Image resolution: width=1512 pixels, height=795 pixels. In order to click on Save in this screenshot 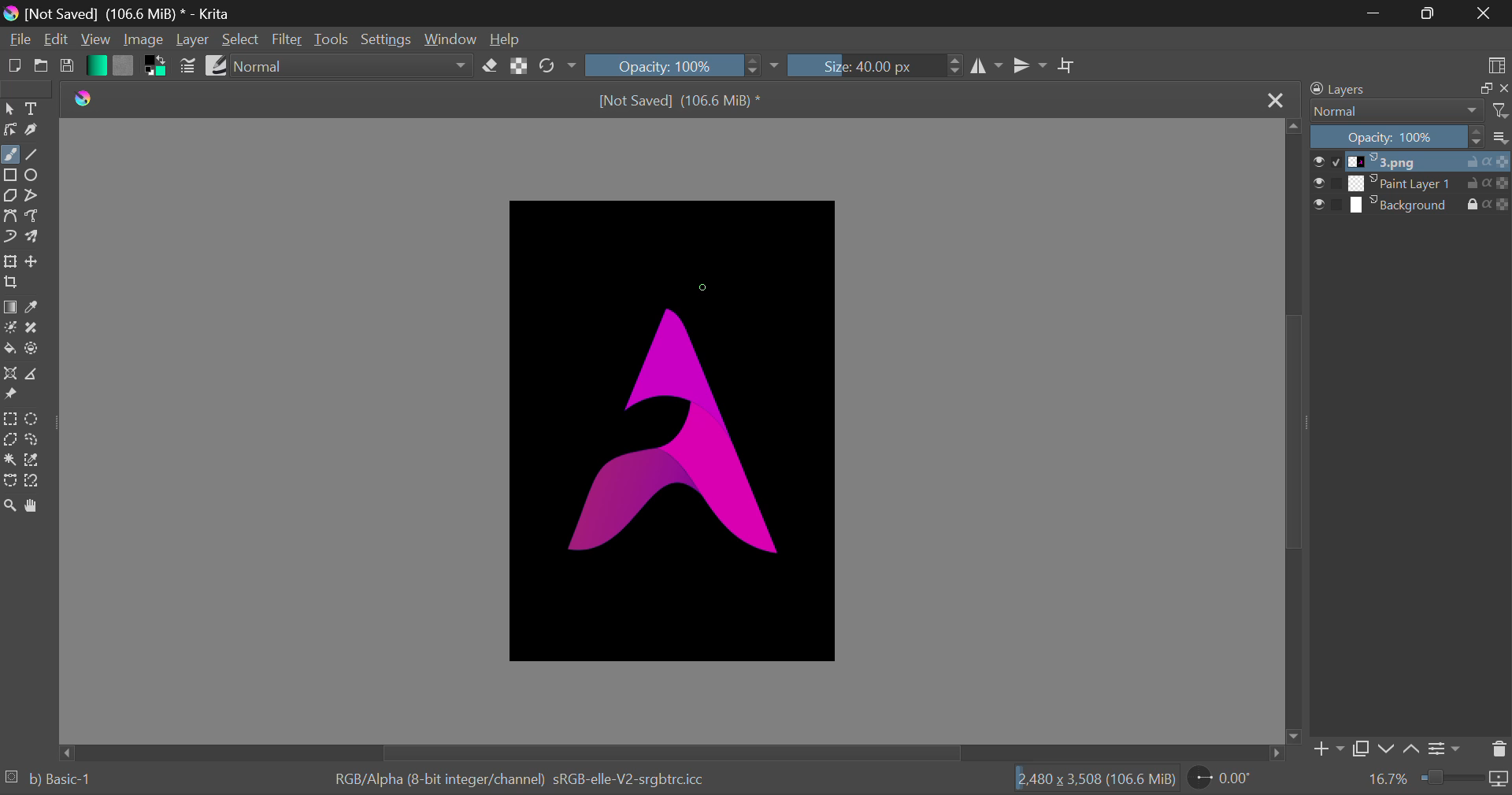, I will do `click(70, 66)`.